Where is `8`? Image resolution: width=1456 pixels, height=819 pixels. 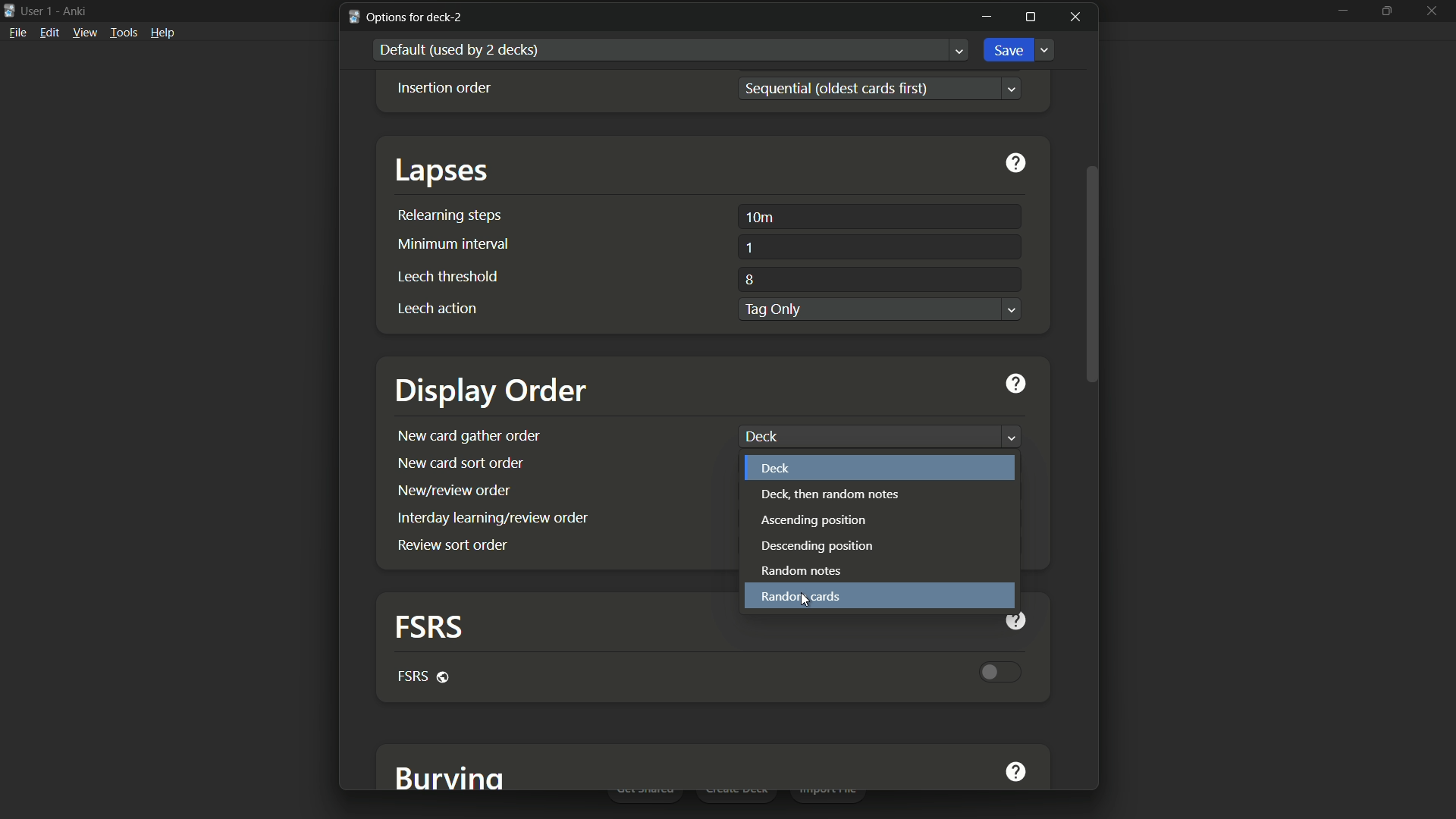
8 is located at coordinates (748, 278).